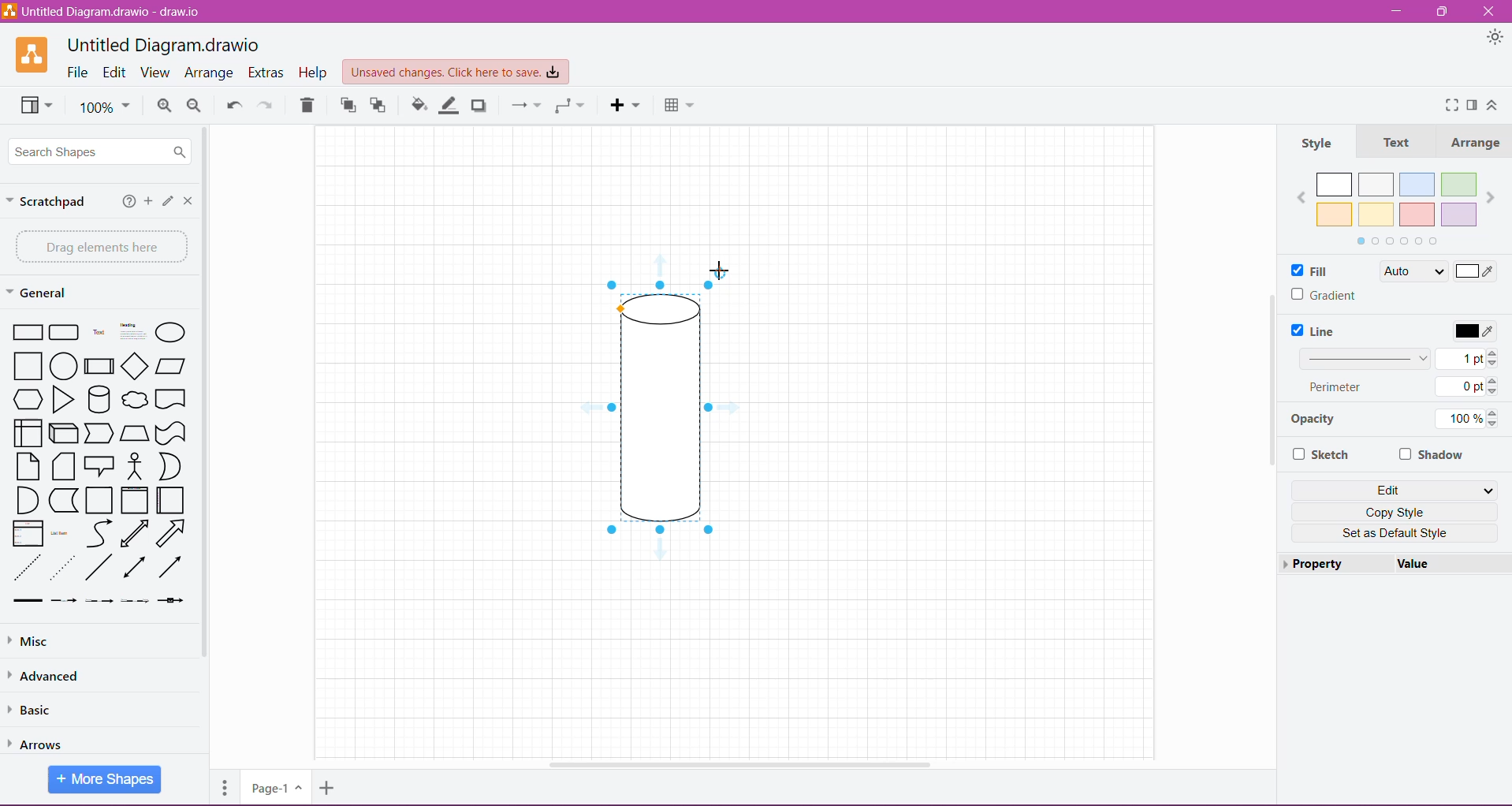 Image resolution: width=1512 pixels, height=806 pixels. I want to click on Selected Image to be rotated by 45 degree, so click(657, 412).